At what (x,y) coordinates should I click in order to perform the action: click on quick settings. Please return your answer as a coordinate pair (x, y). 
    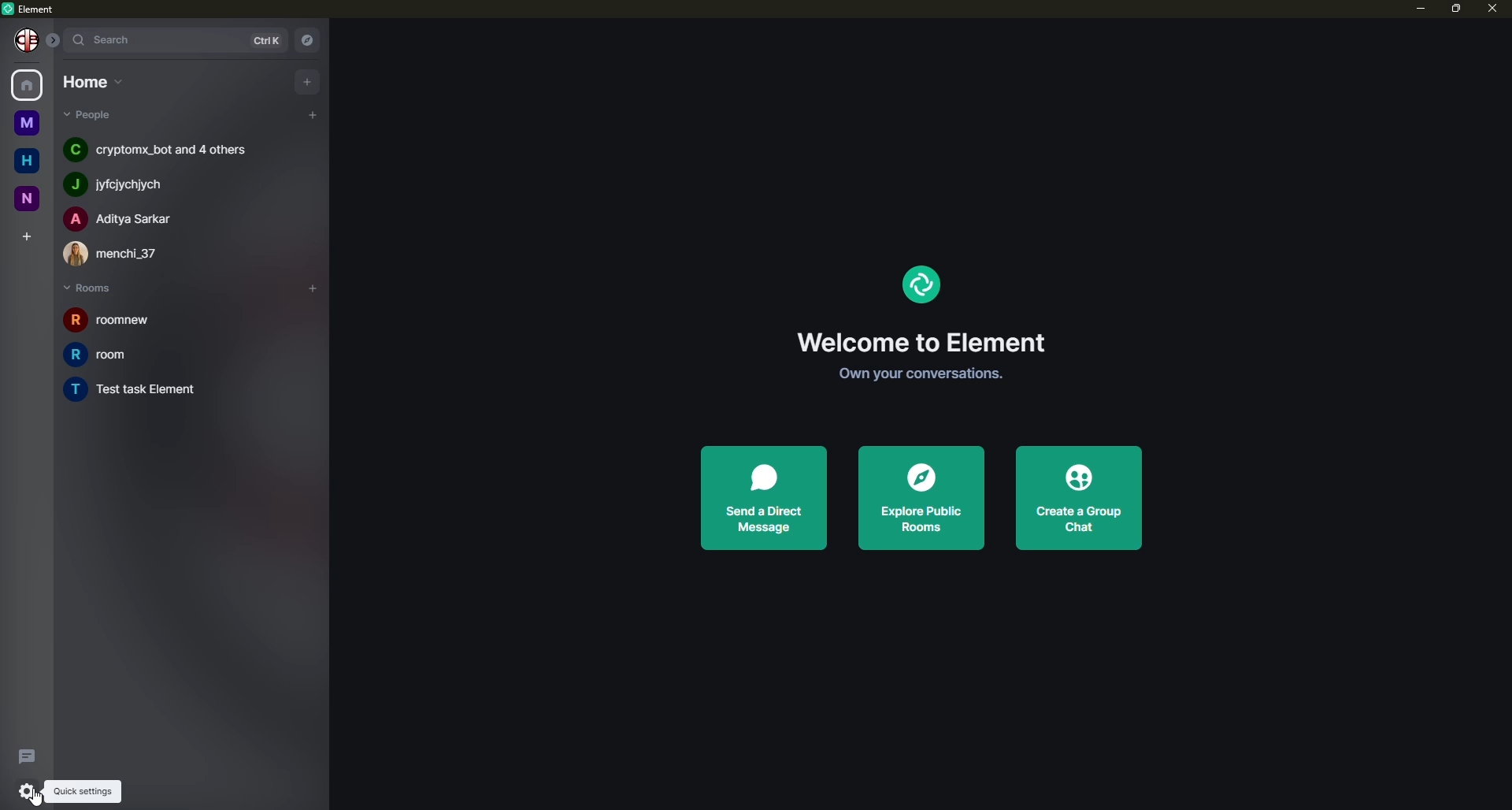
    Looking at the image, I should click on (82, 790).